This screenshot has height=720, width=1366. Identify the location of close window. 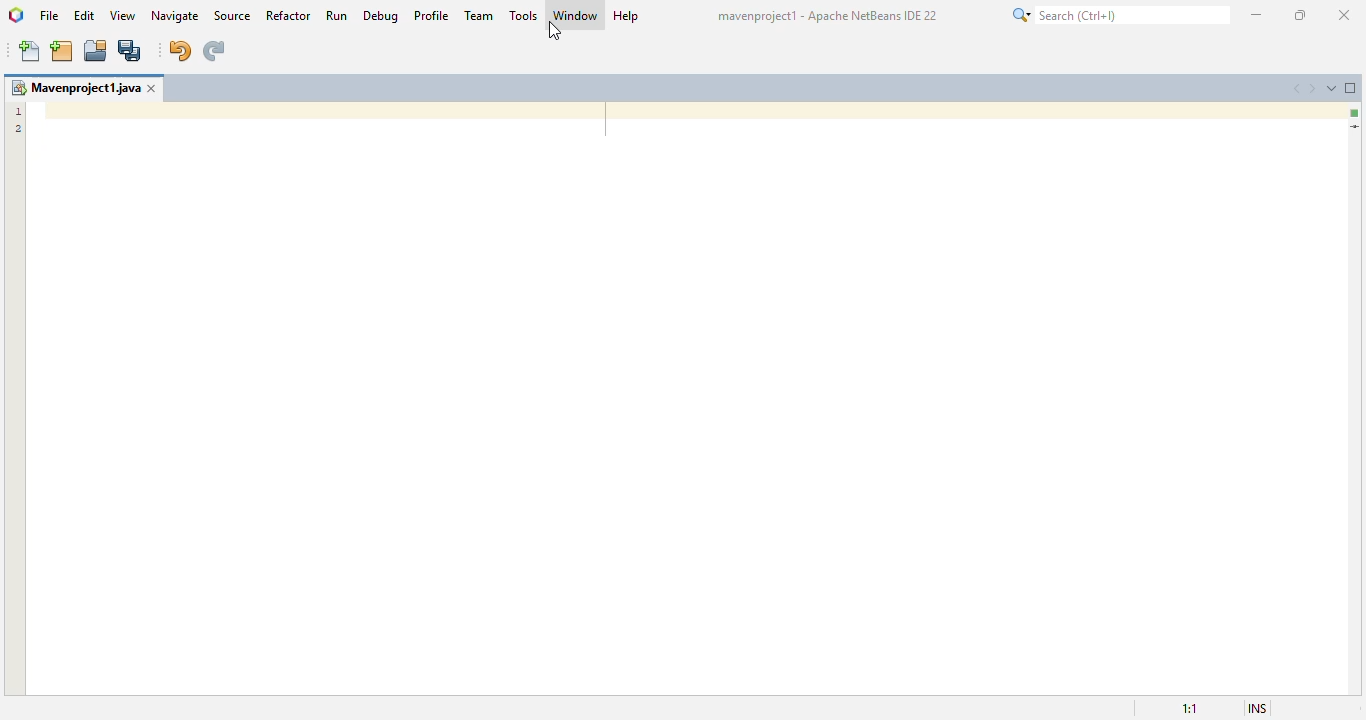
(154, 88).